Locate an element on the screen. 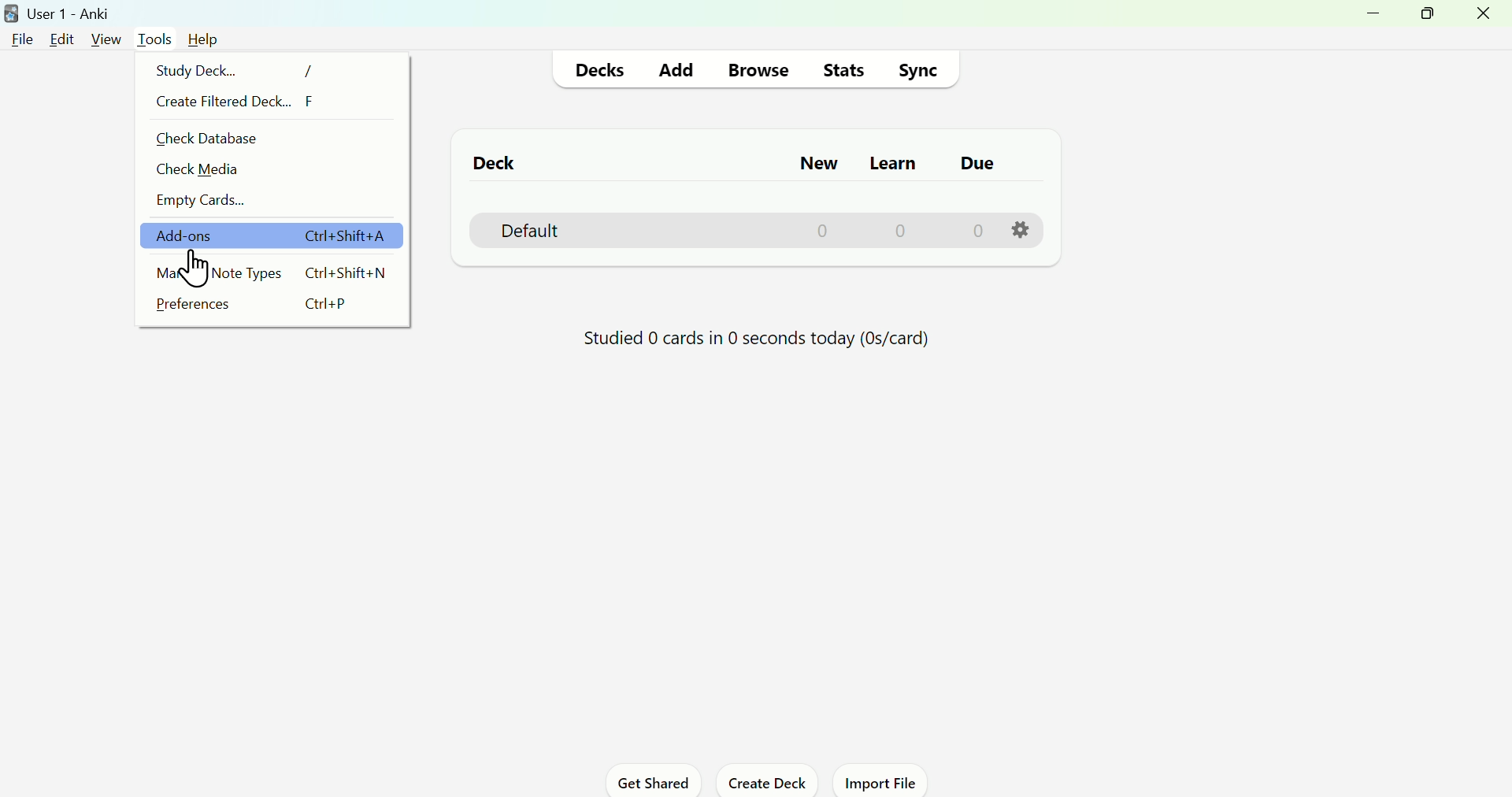 The width and height of the screenshot is (1512, 797). 0 is located at coordinates (901, 229).